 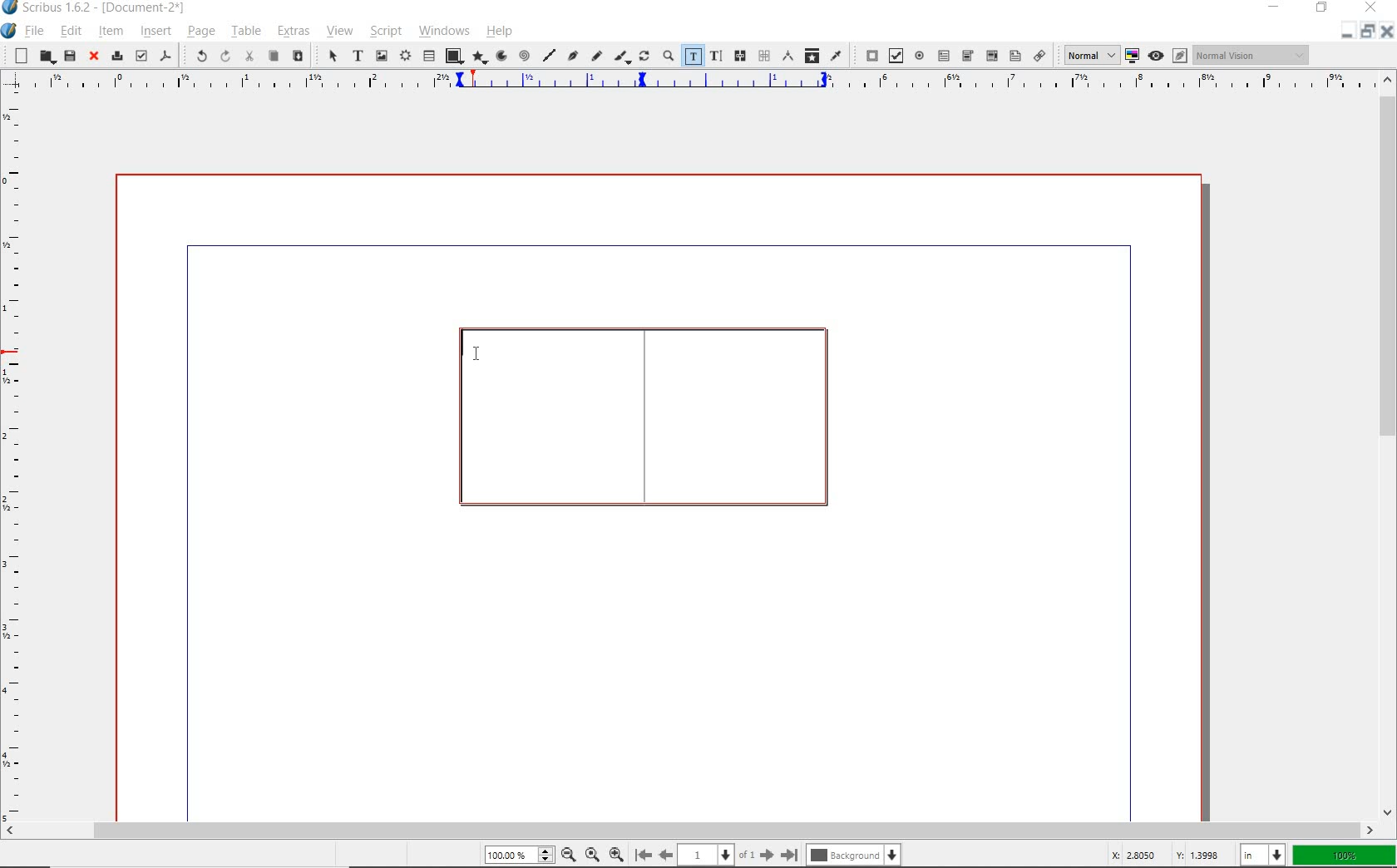 What do you see at coordinates (499, 57) in the screenshot?
I see `arc` at bounding box center [499, 57].